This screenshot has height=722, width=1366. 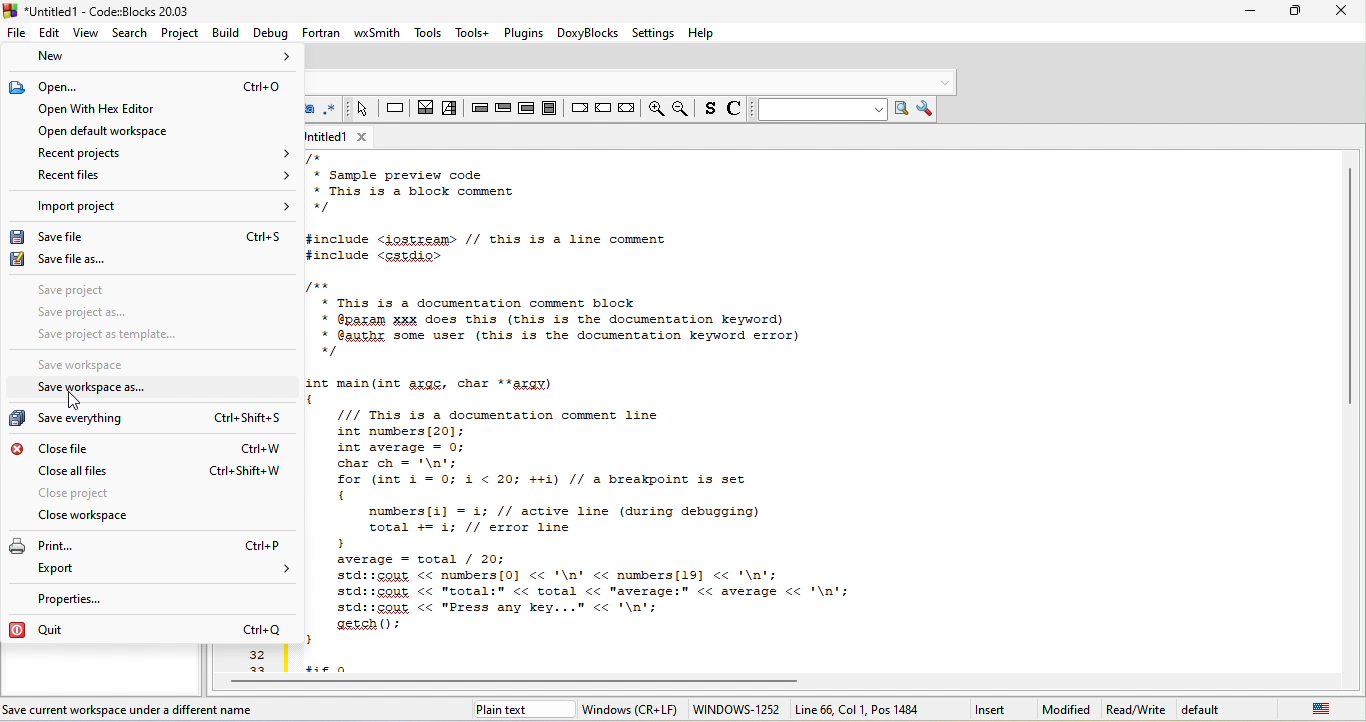 What do you see at coordinates (116, 334) in the screenshot?
I see `save project as template` at bounding box center [116, 334].